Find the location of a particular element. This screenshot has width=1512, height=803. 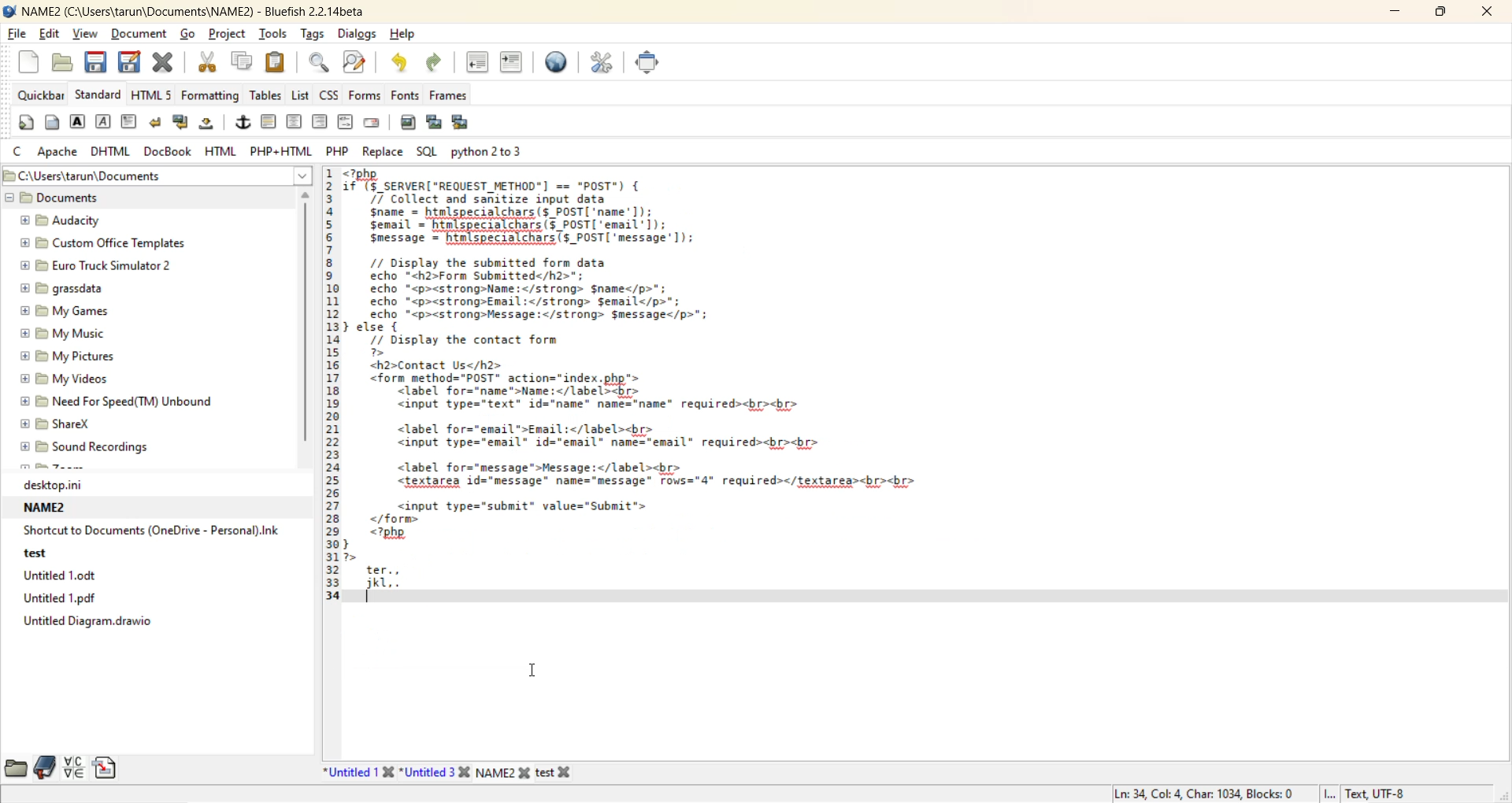

sql is located at coordinates (426, 148).